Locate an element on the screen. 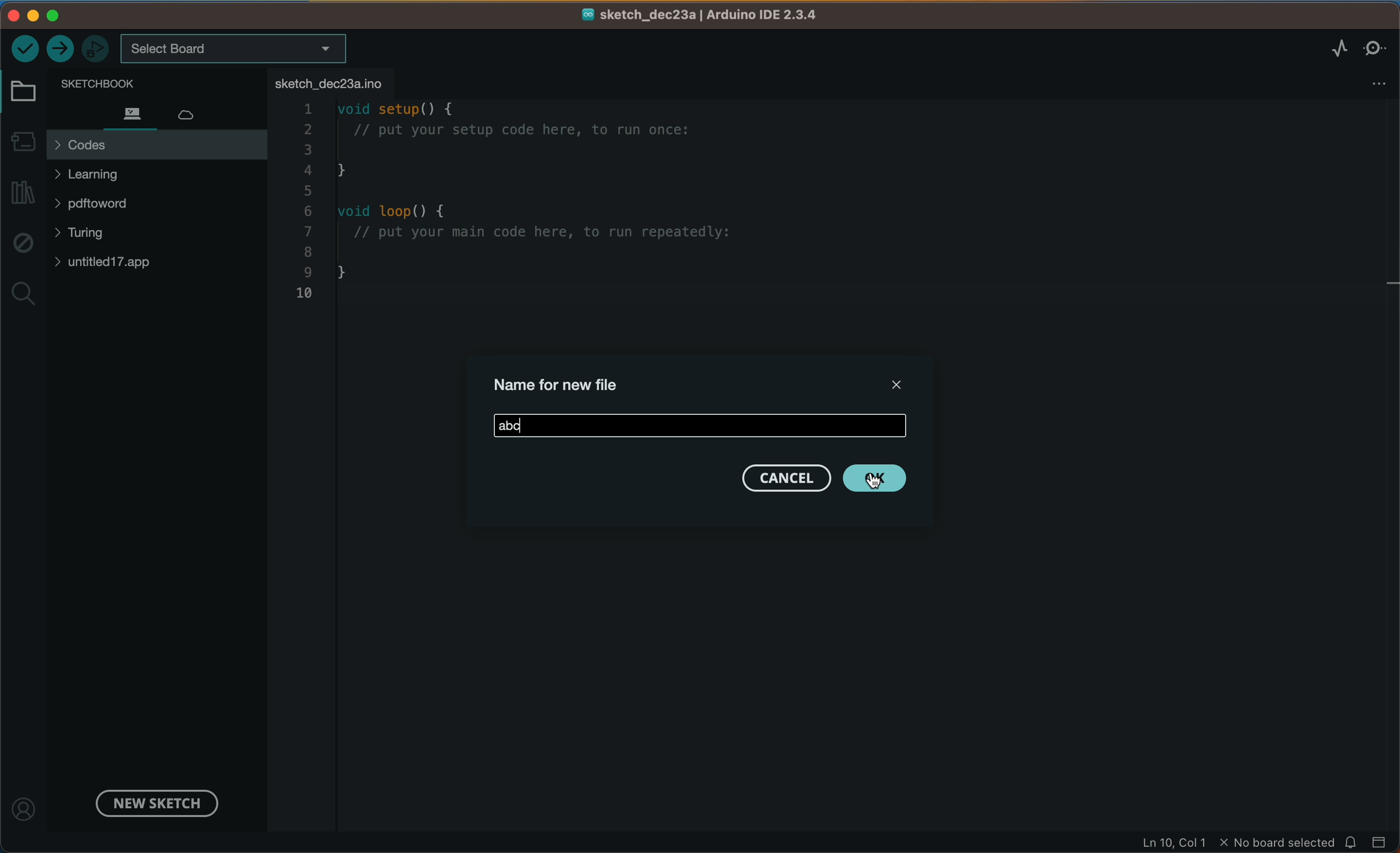 The height and width of the screenshot is (853, 1400). serial monitor is located at coordinates (1376, 47).